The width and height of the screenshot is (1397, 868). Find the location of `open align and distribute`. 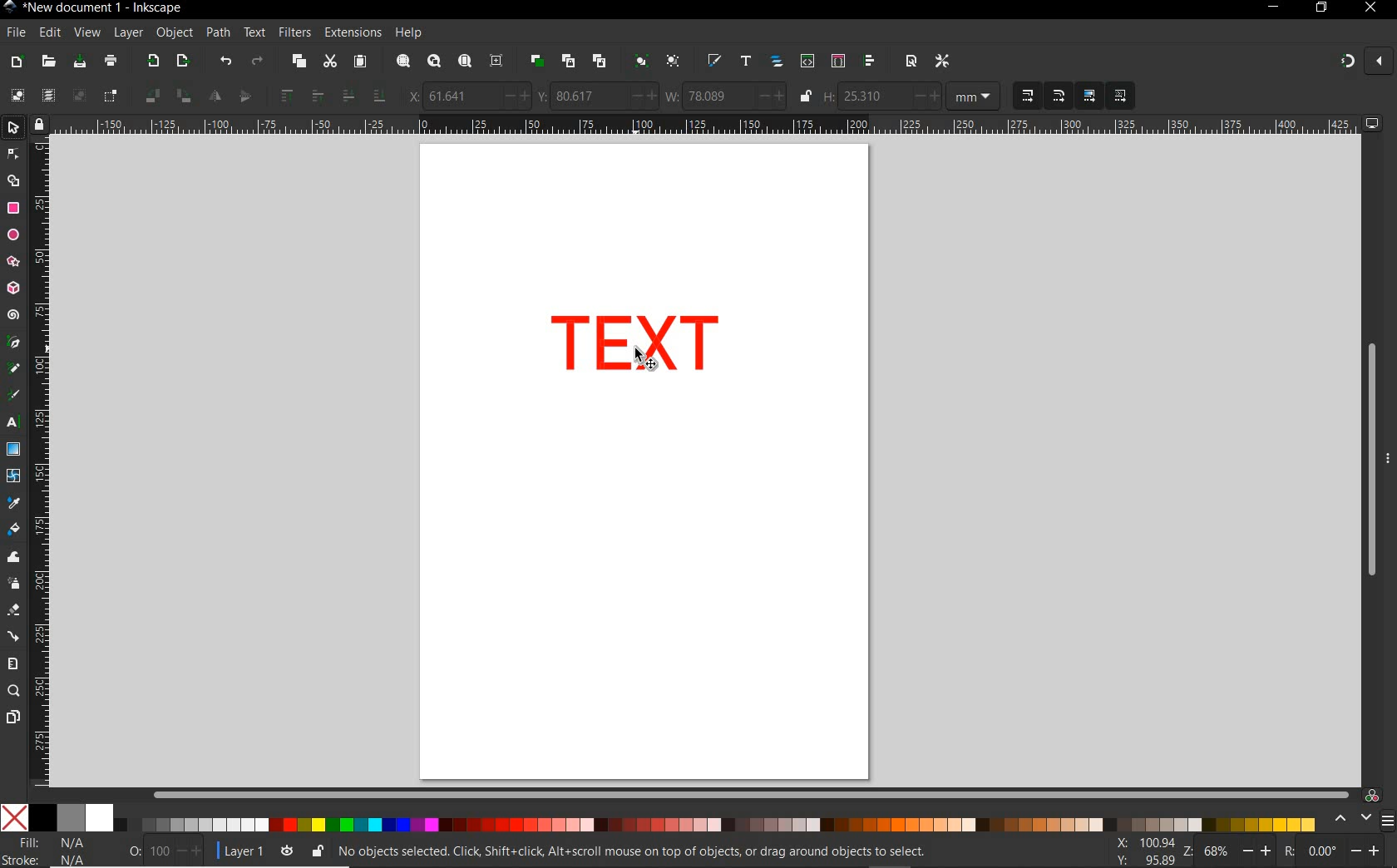

open align and distribute is located at coordinates (871, 62).